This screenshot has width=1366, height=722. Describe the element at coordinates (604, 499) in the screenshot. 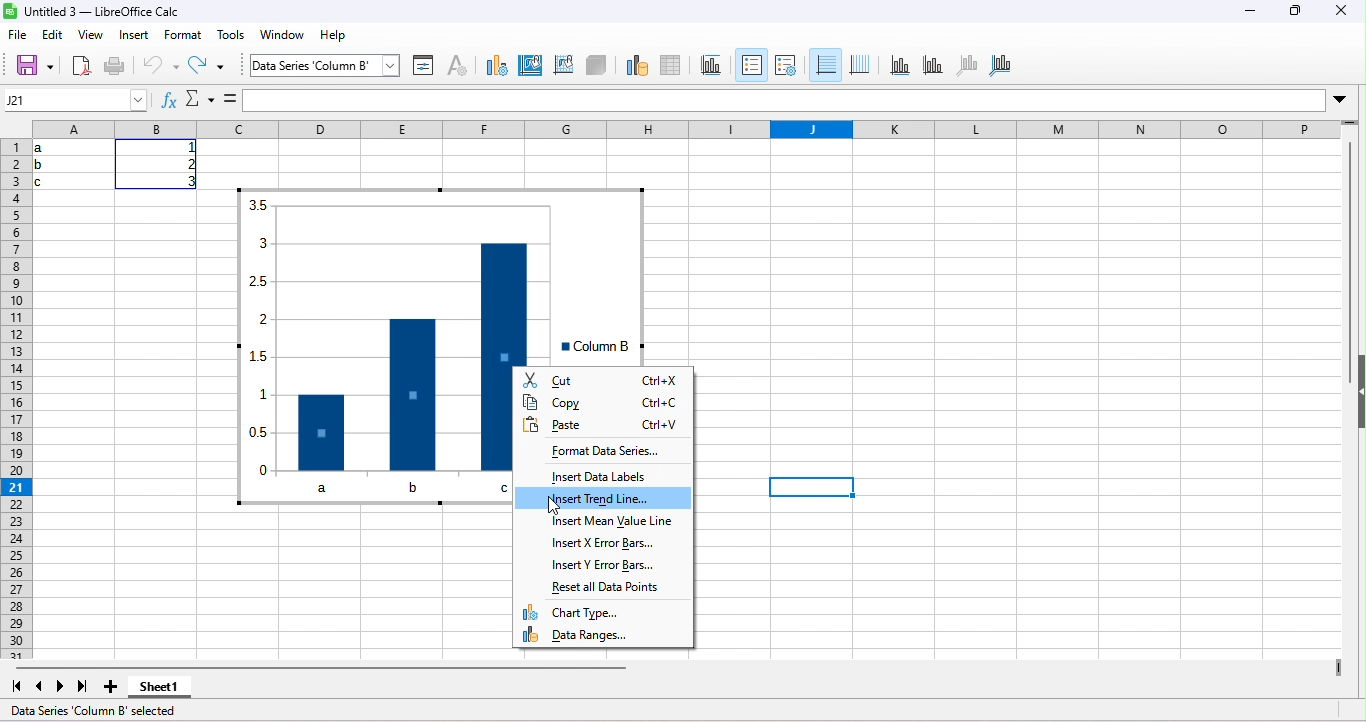

I see `insert trend line` at that location.